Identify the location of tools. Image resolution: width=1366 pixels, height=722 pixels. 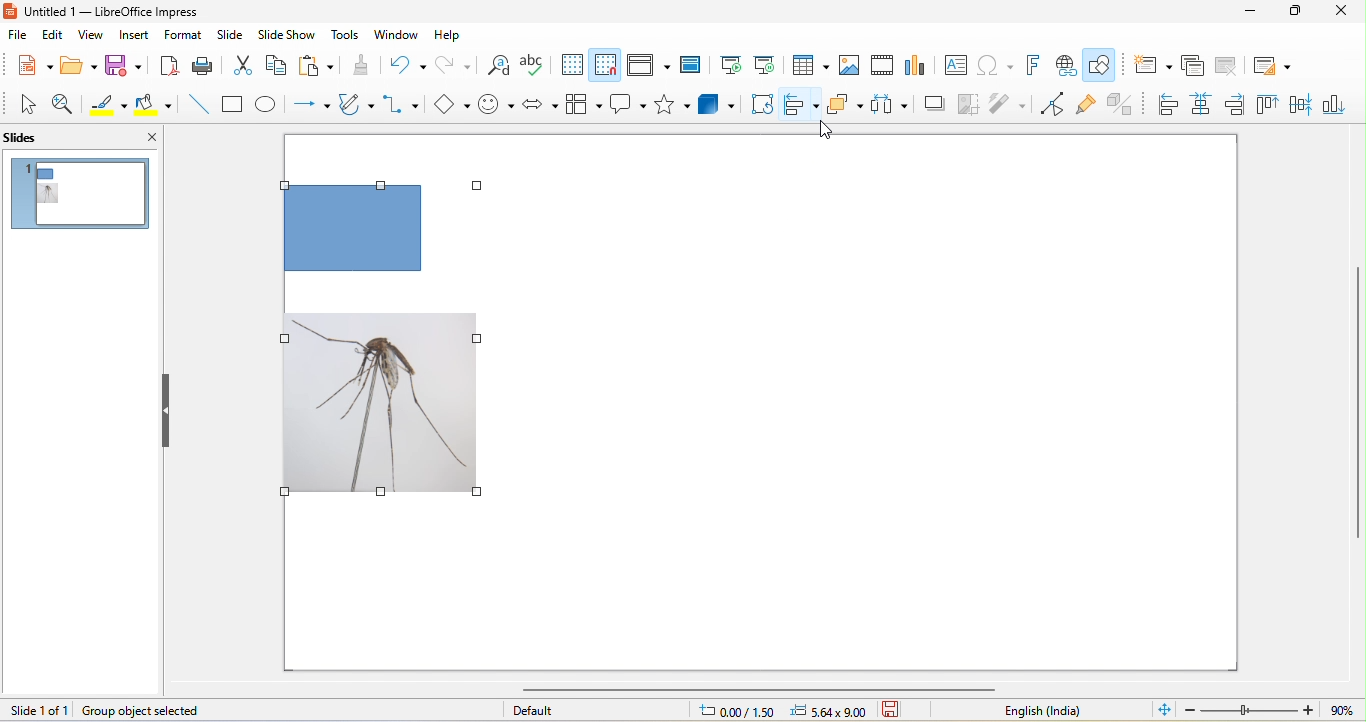
(347, 37).